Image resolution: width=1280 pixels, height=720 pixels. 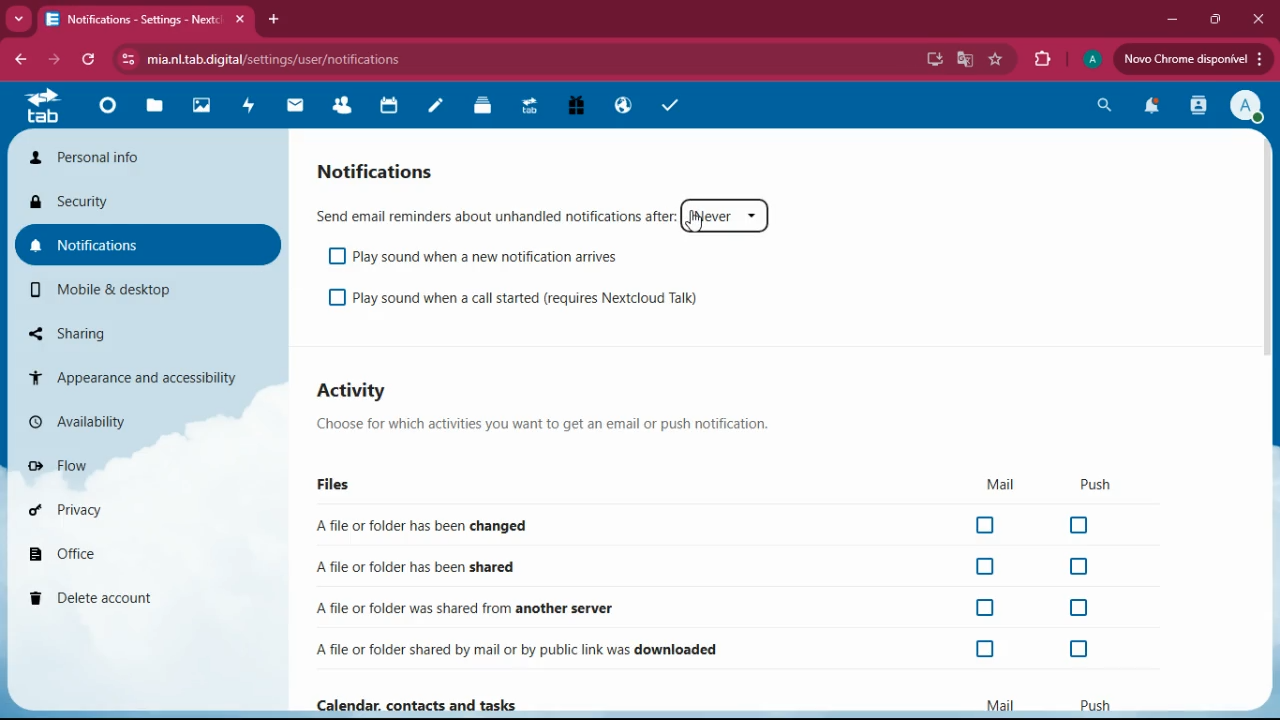 What do you see at coordinates (1149, 109) in the screenshot?
I see `notifications` at bounding box center [1149, 109].